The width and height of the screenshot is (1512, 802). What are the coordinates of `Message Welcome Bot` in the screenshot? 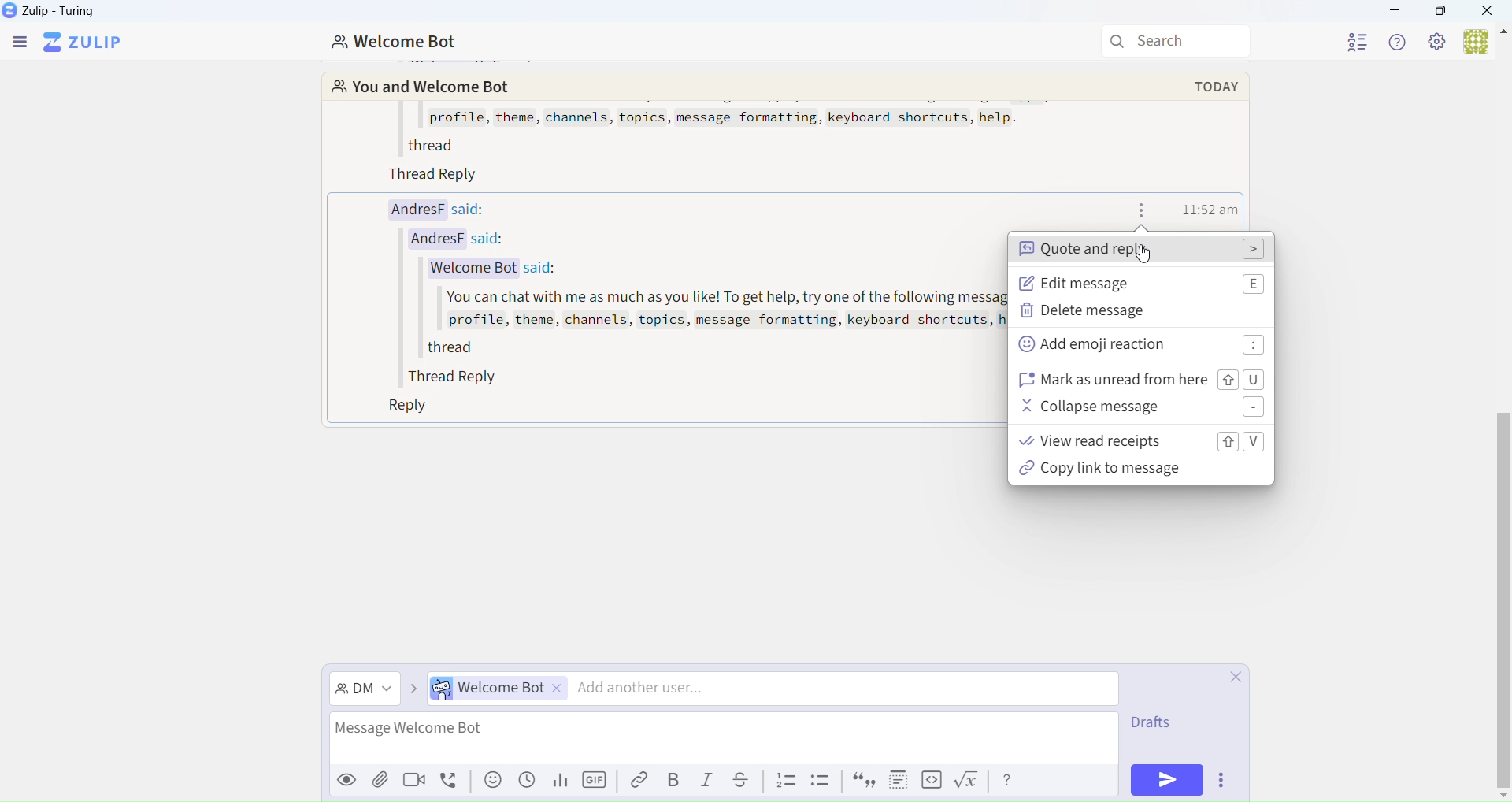 It's located at (713, 737).